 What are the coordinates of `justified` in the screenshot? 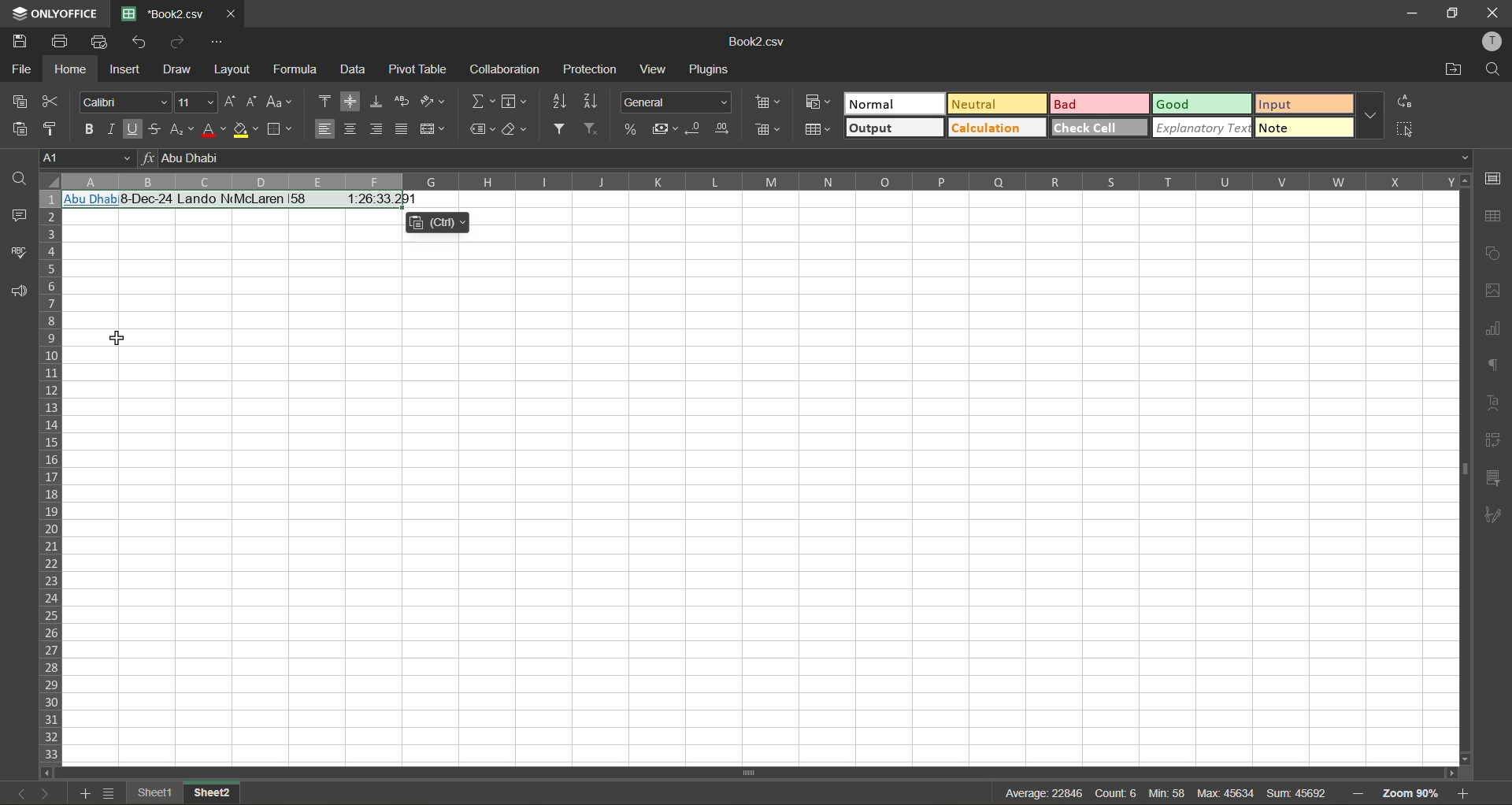 It's located at (405, 131).